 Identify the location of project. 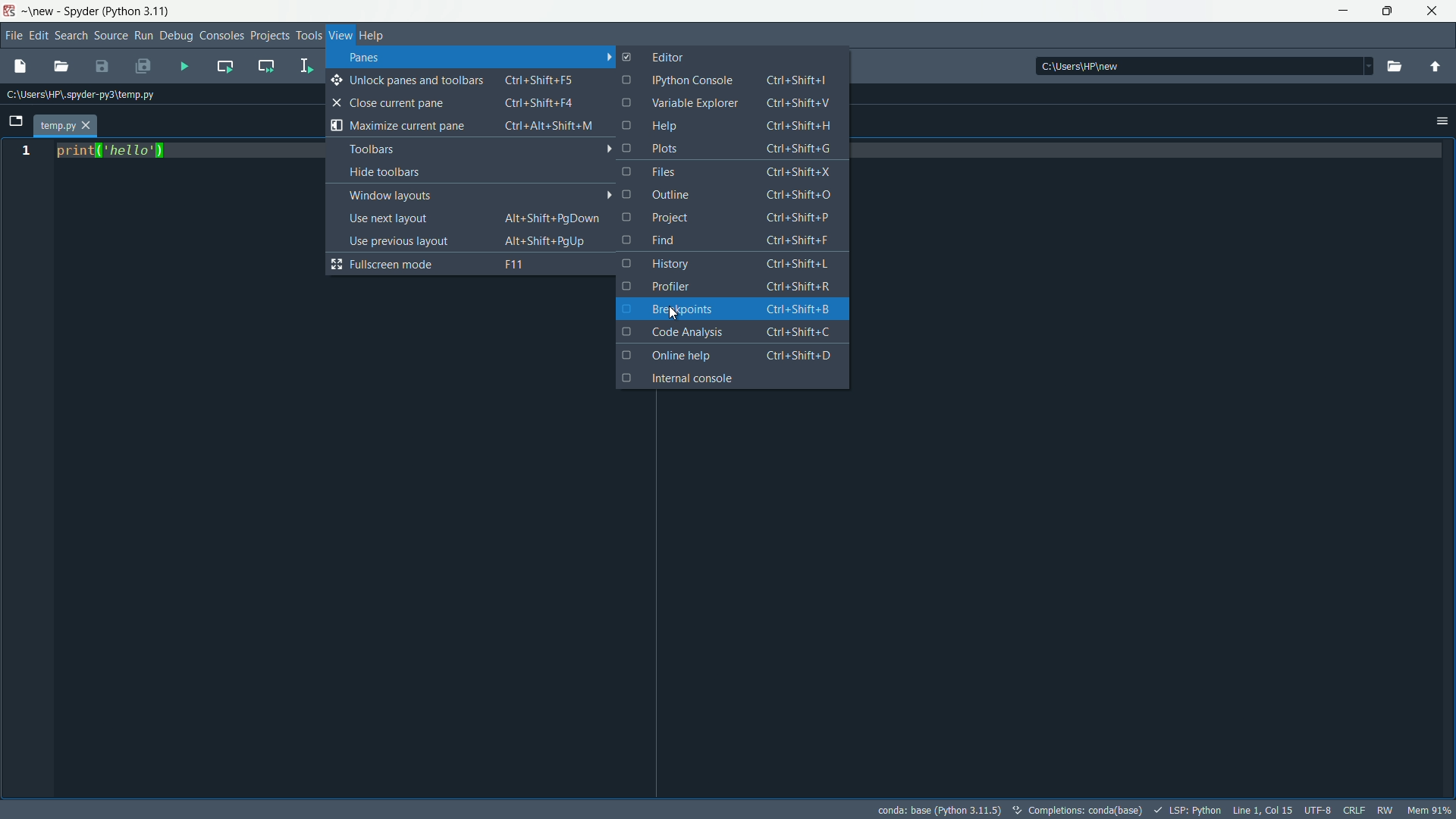
(728, 219).